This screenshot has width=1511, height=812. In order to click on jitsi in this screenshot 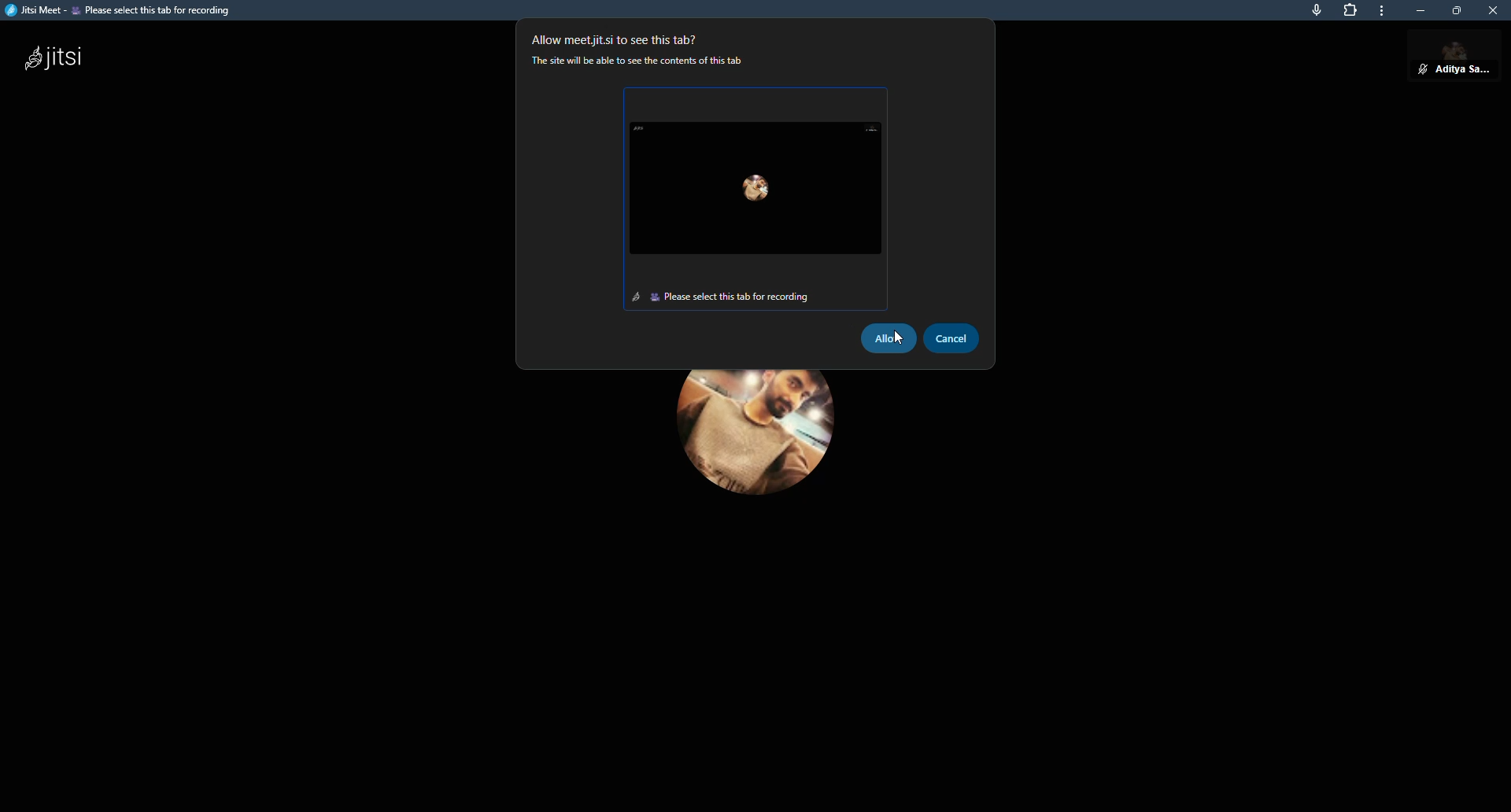, I will do `click(58, 57)`.